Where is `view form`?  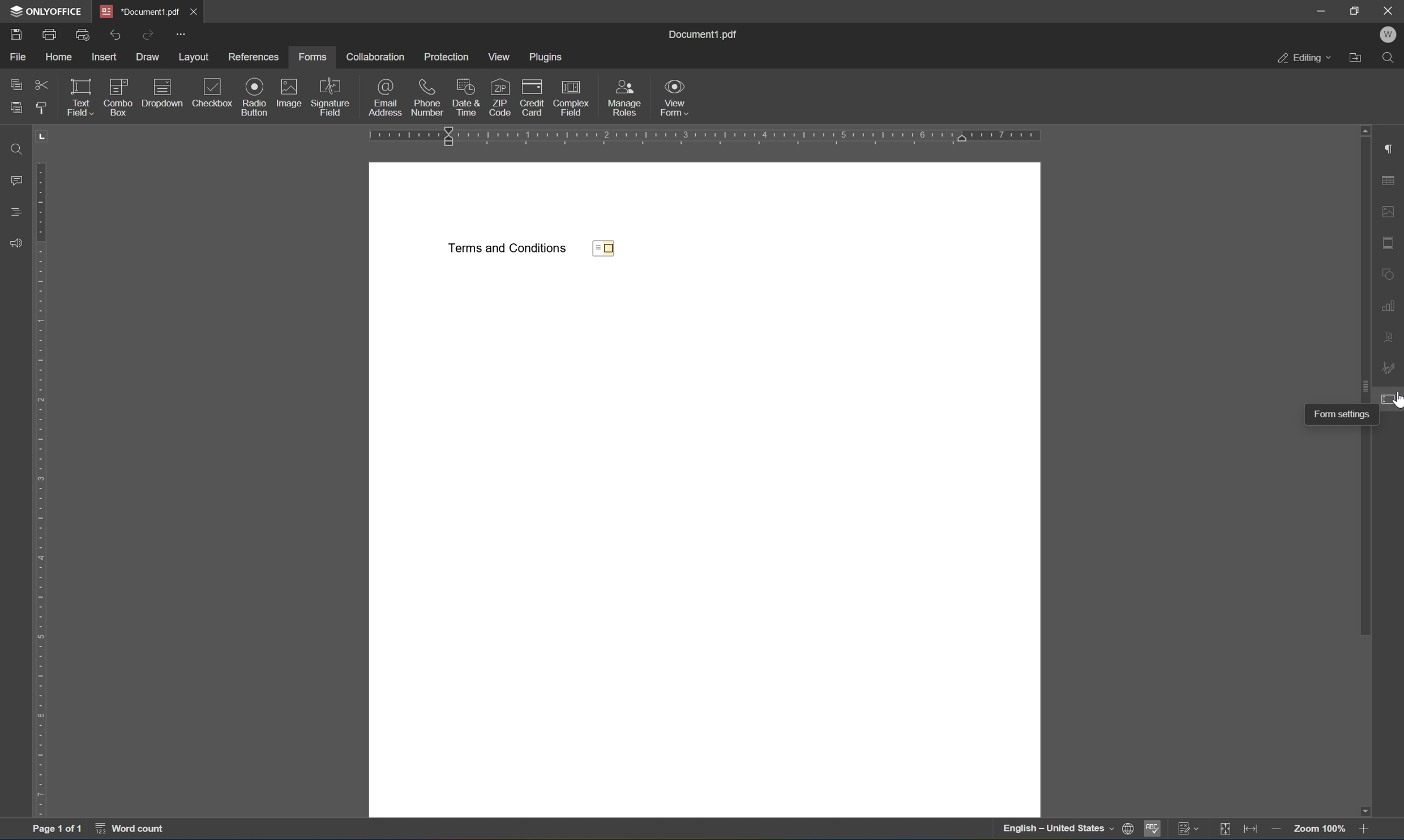
view form is located at coordinates (674, 97).